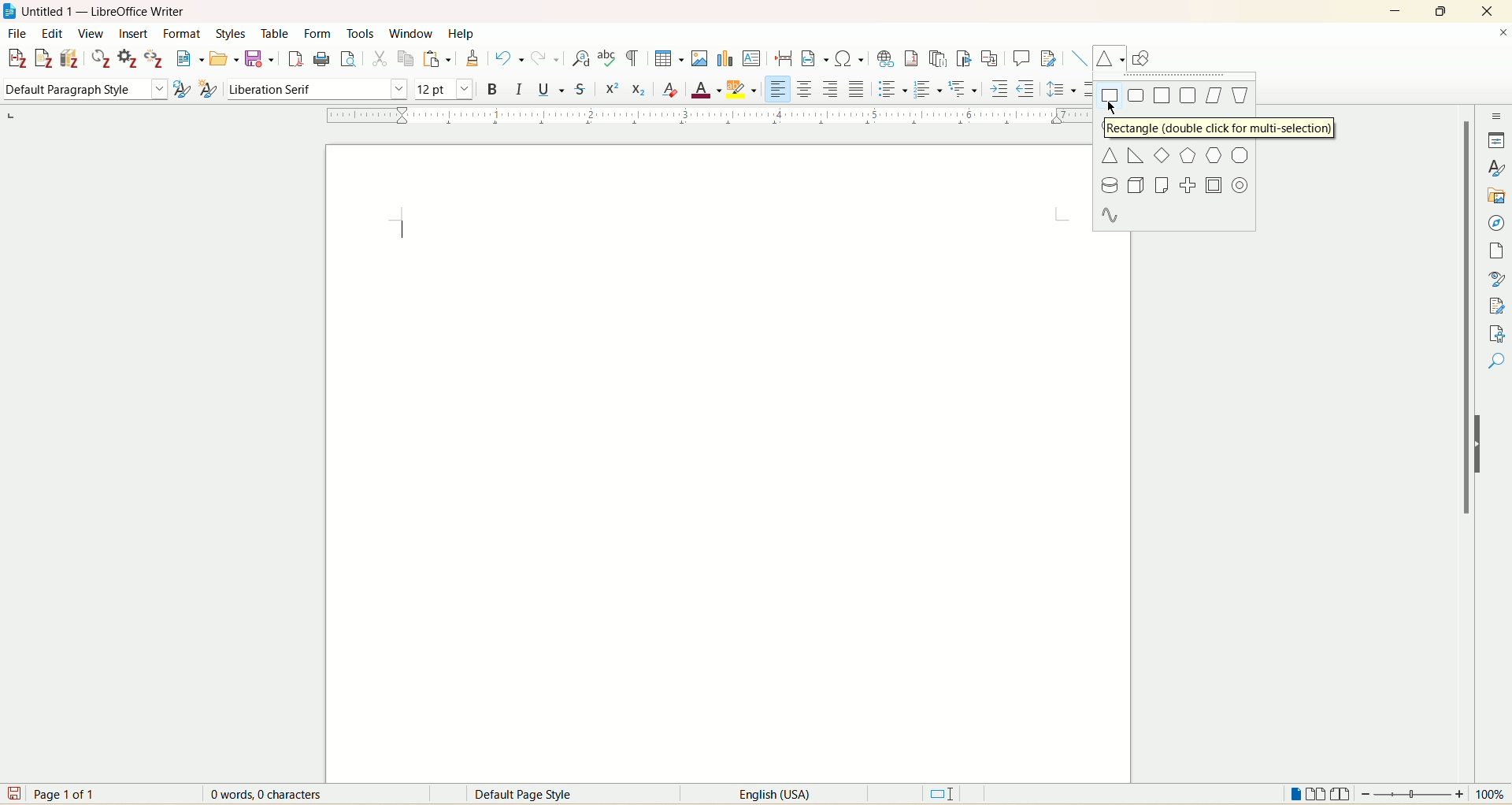  What do you see at coordinates (1498, 305) in the screenshot?
I see `manage changes` at bounding box center [1498, 305].